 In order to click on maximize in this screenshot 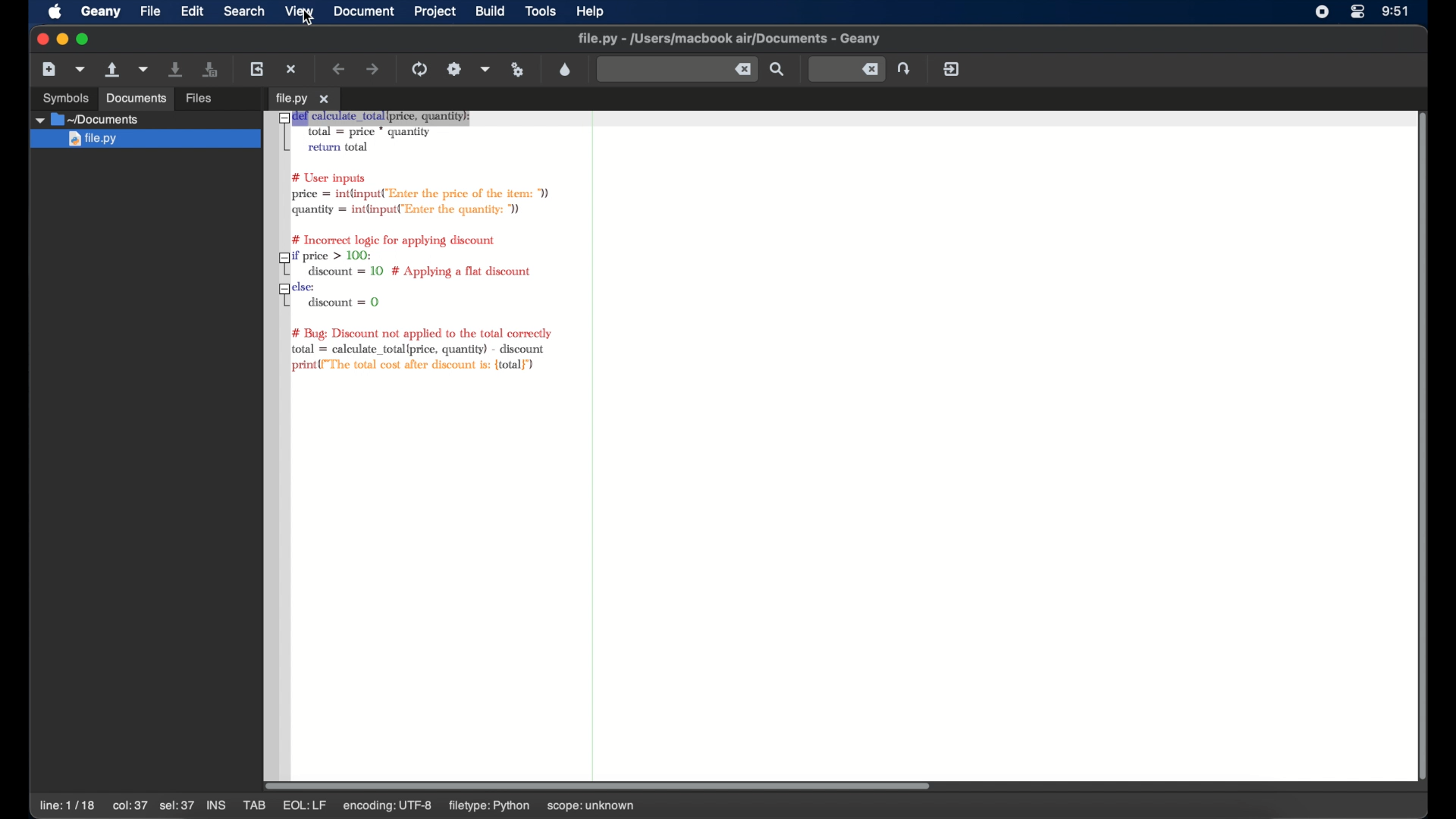, I will do `click(83, 39)`.